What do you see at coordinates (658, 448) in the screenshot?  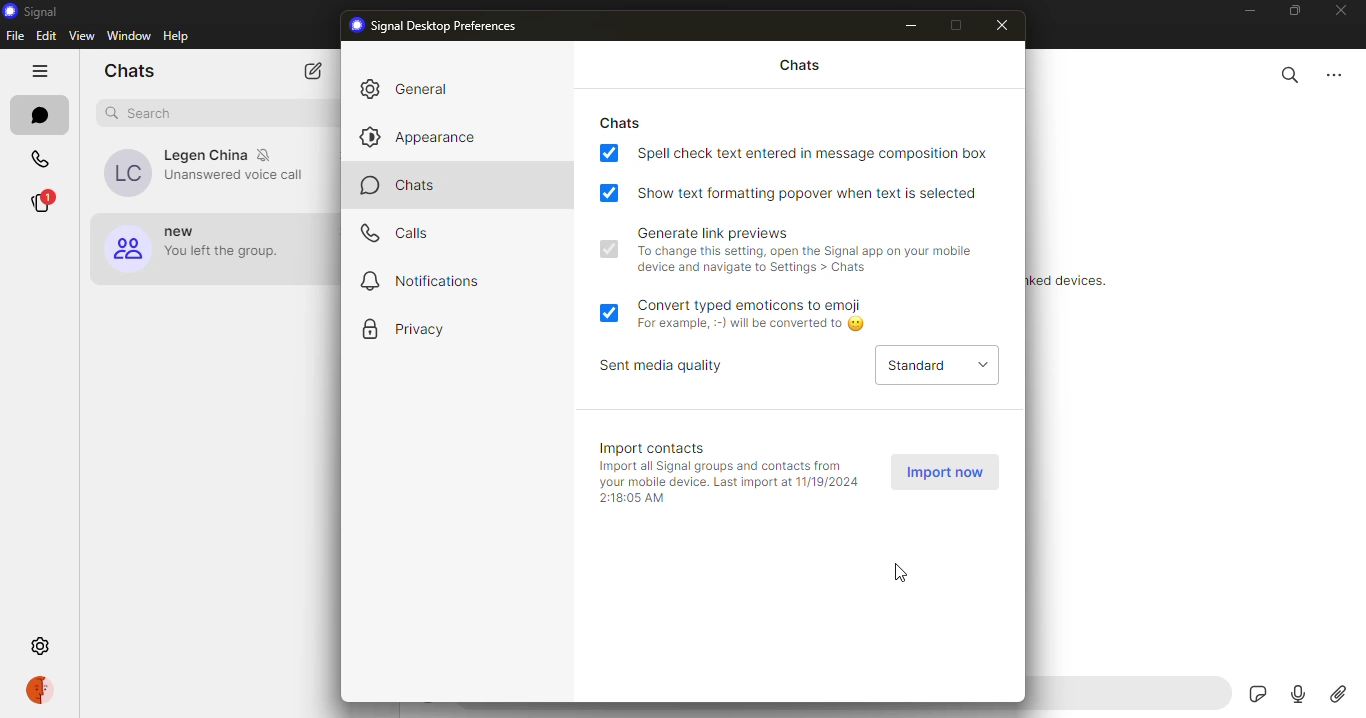 I see `import contacts` at bounding box center [658, 448].